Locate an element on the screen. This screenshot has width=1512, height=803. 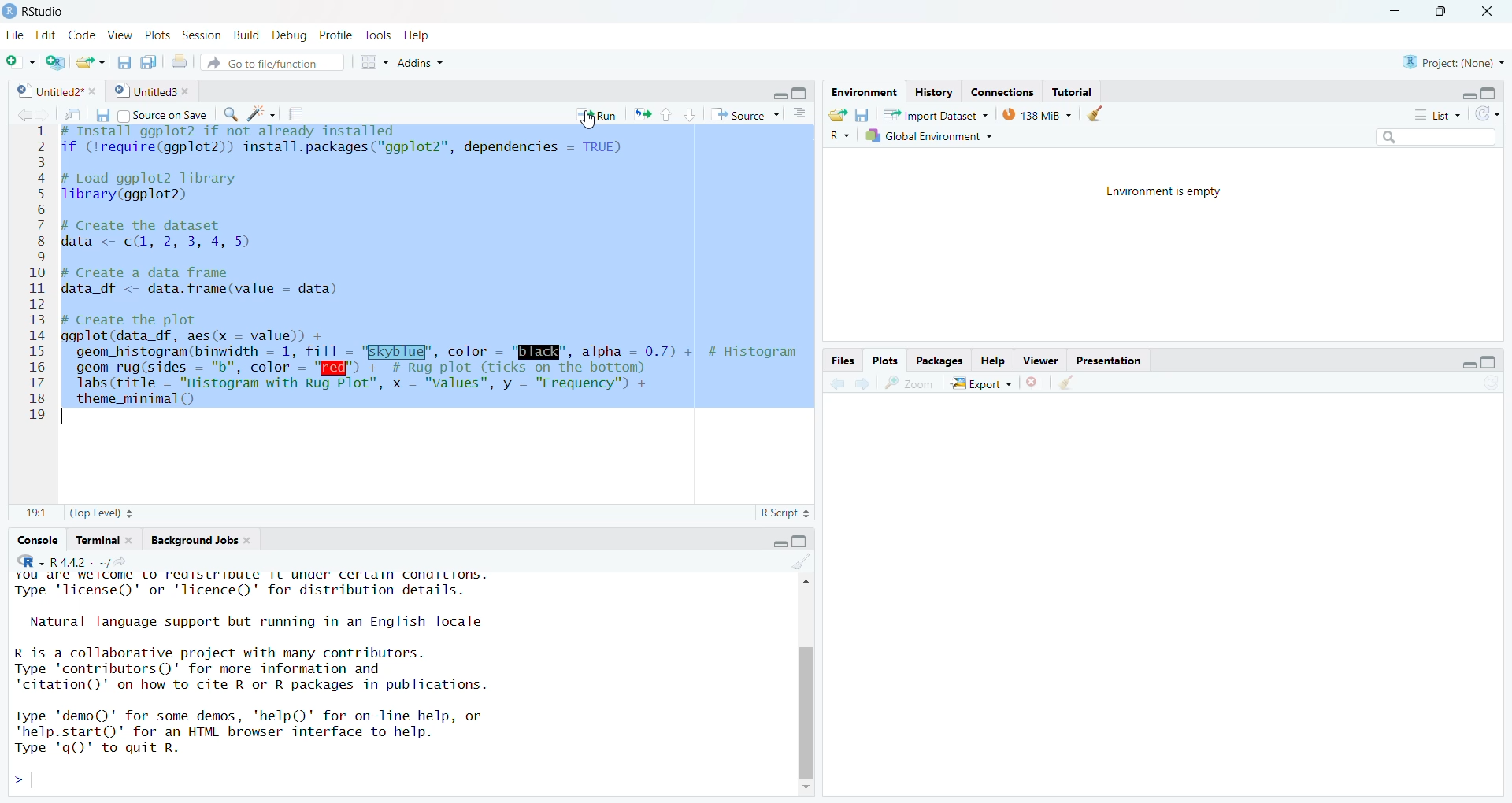
Terminal is located at coordinates (102, 542).